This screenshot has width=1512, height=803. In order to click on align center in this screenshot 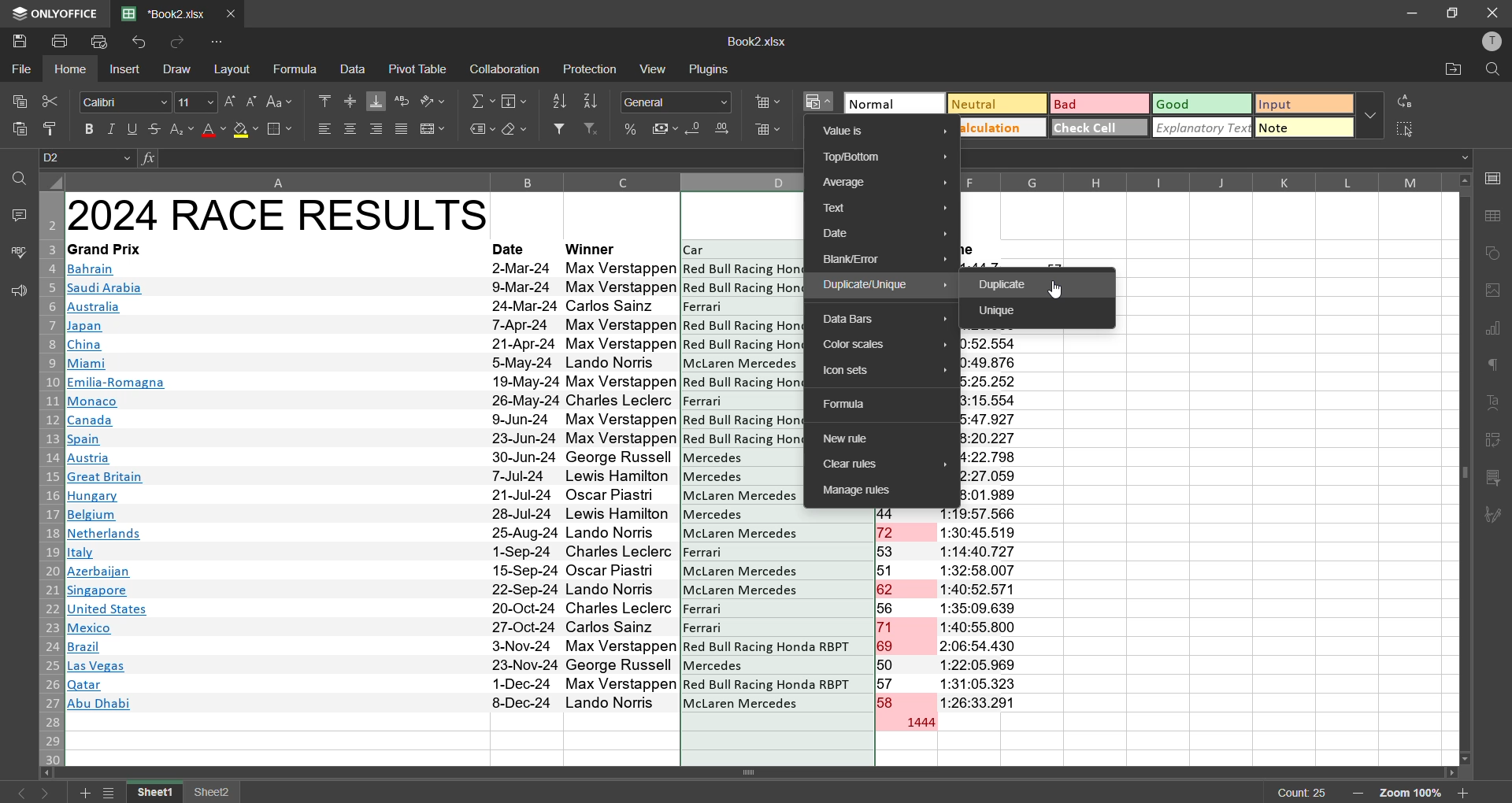, I will do `click(350, 128)`.